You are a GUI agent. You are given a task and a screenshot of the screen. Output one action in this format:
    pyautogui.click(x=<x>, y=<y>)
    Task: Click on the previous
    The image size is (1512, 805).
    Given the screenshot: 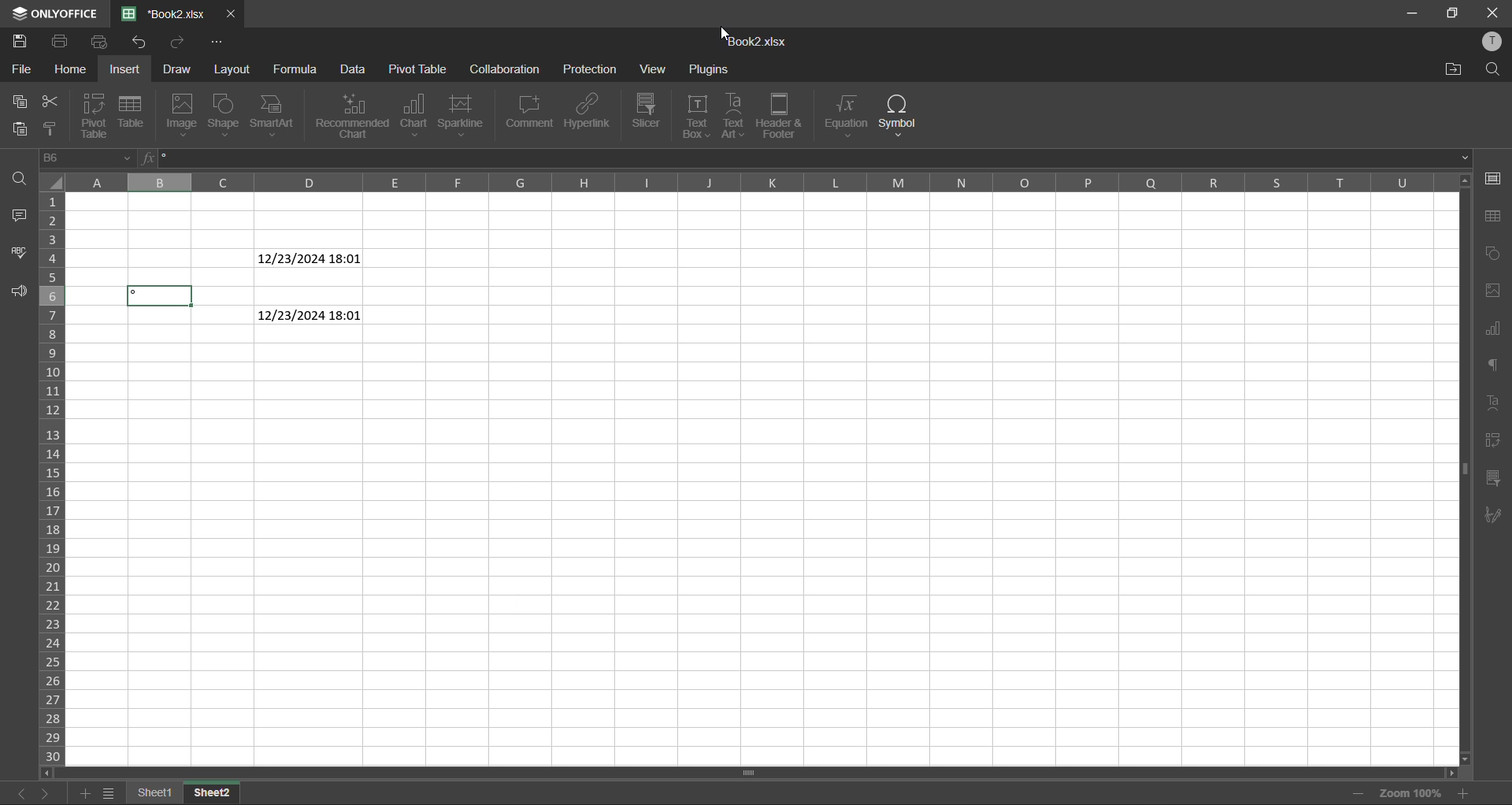 What is the action you would take?
    pyautogui.click(x=18, y=793)
    